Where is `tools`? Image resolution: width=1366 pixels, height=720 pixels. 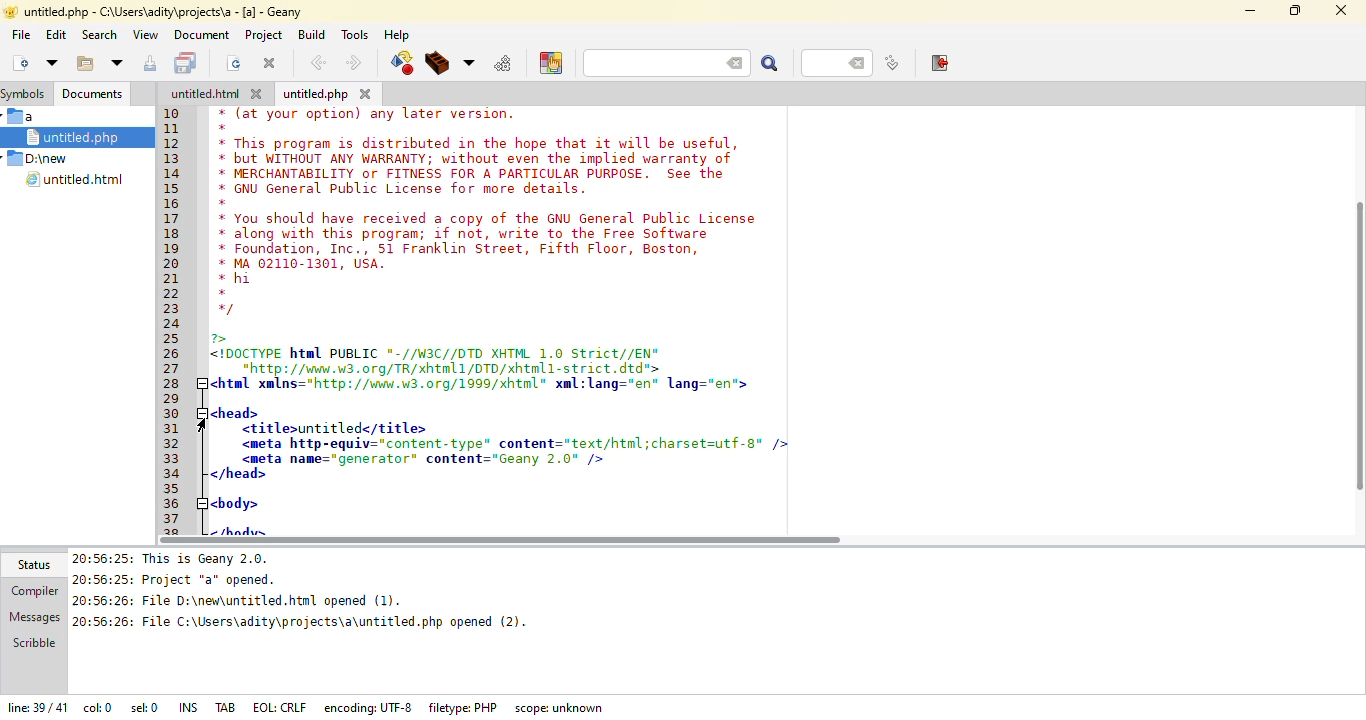 tools is located at coordinates (355, 34).